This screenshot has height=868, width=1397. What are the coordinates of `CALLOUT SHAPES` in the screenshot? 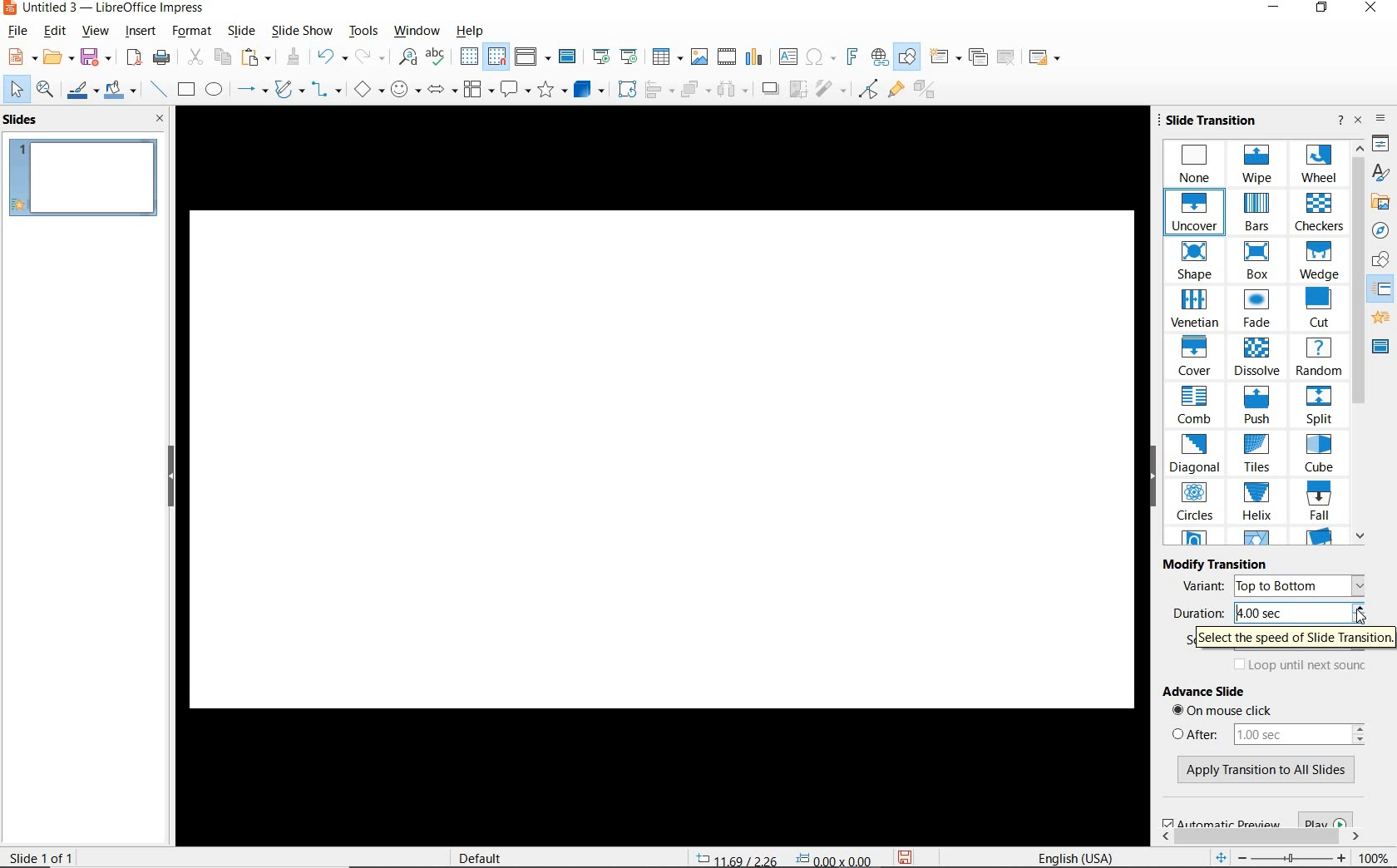 It's located at (515, 91).